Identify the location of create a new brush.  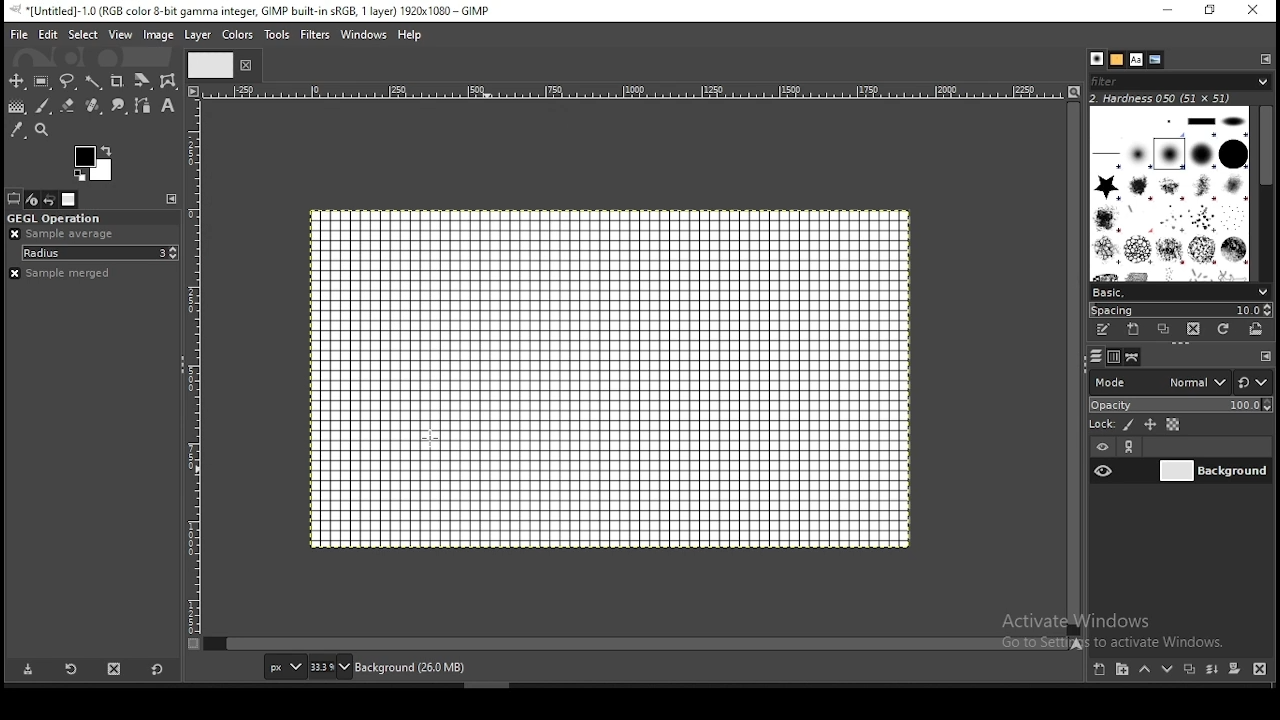
(1135, 330).